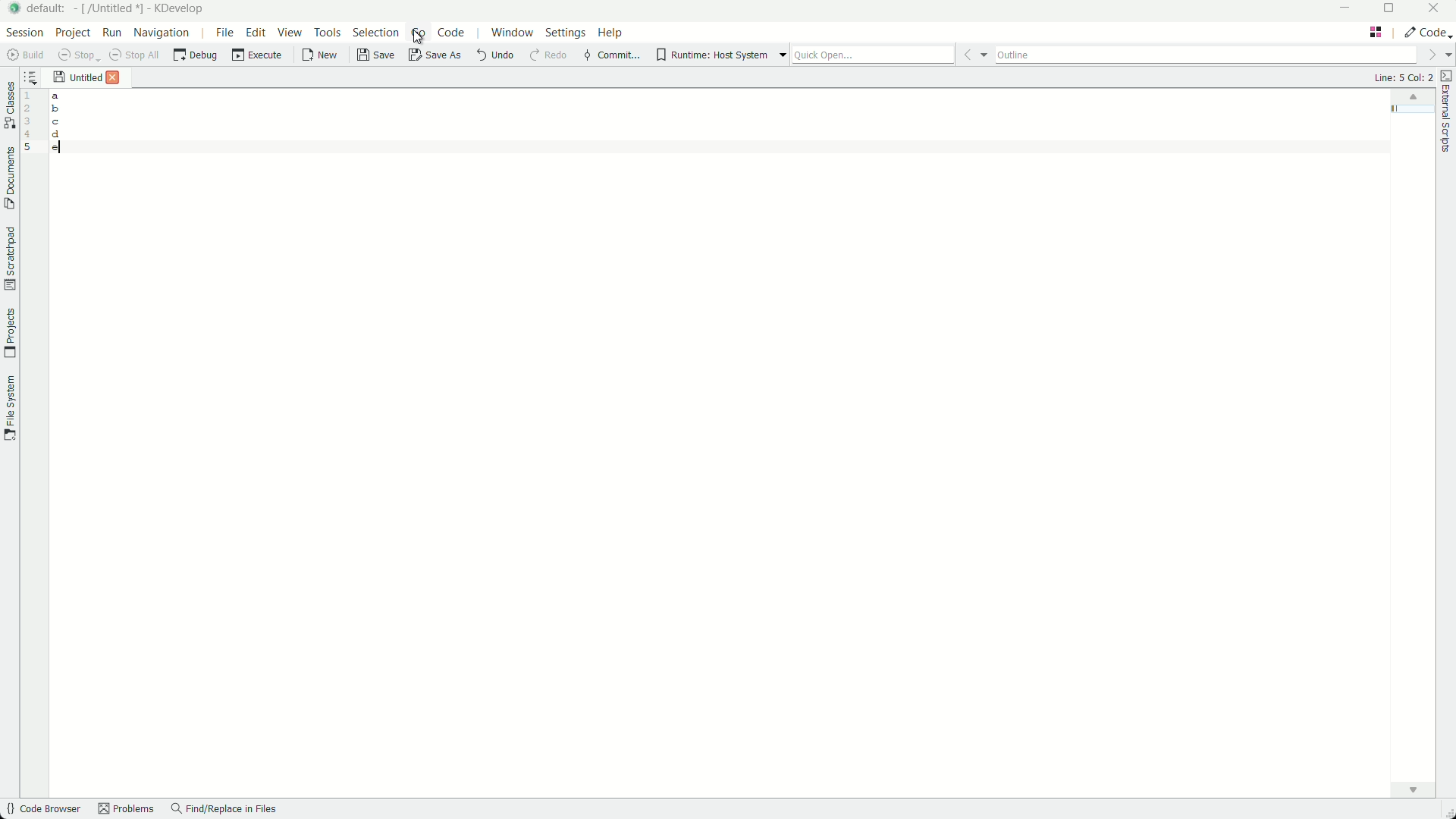 Image resolution: width=1456 pixels, height=819 pixels. What do you see at coordinates (328, 34) in the screenshot?
I see `tools` at bounding box center [328, 34].